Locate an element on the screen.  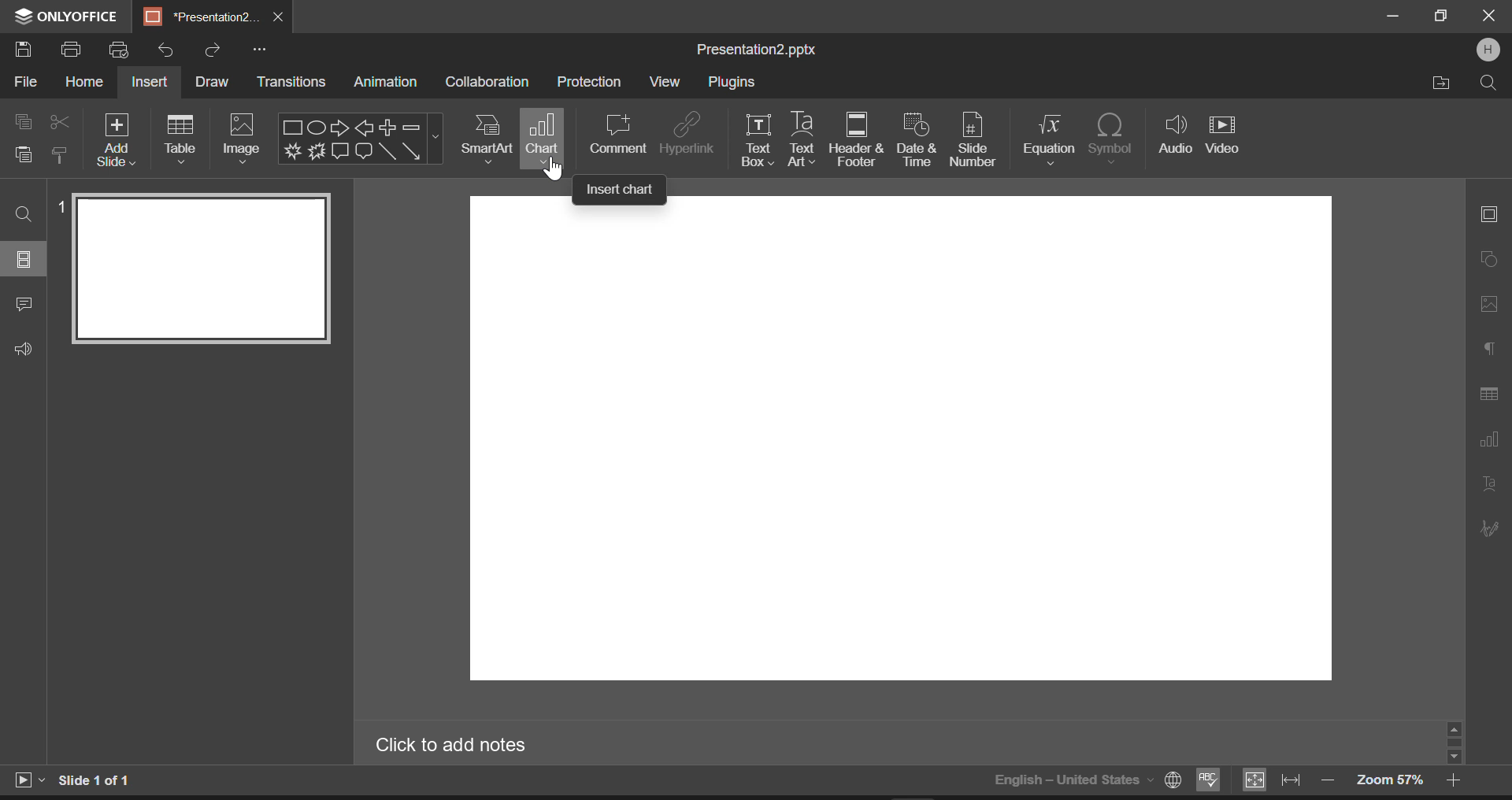
Header & Footer is located at coordinates (856, 139).